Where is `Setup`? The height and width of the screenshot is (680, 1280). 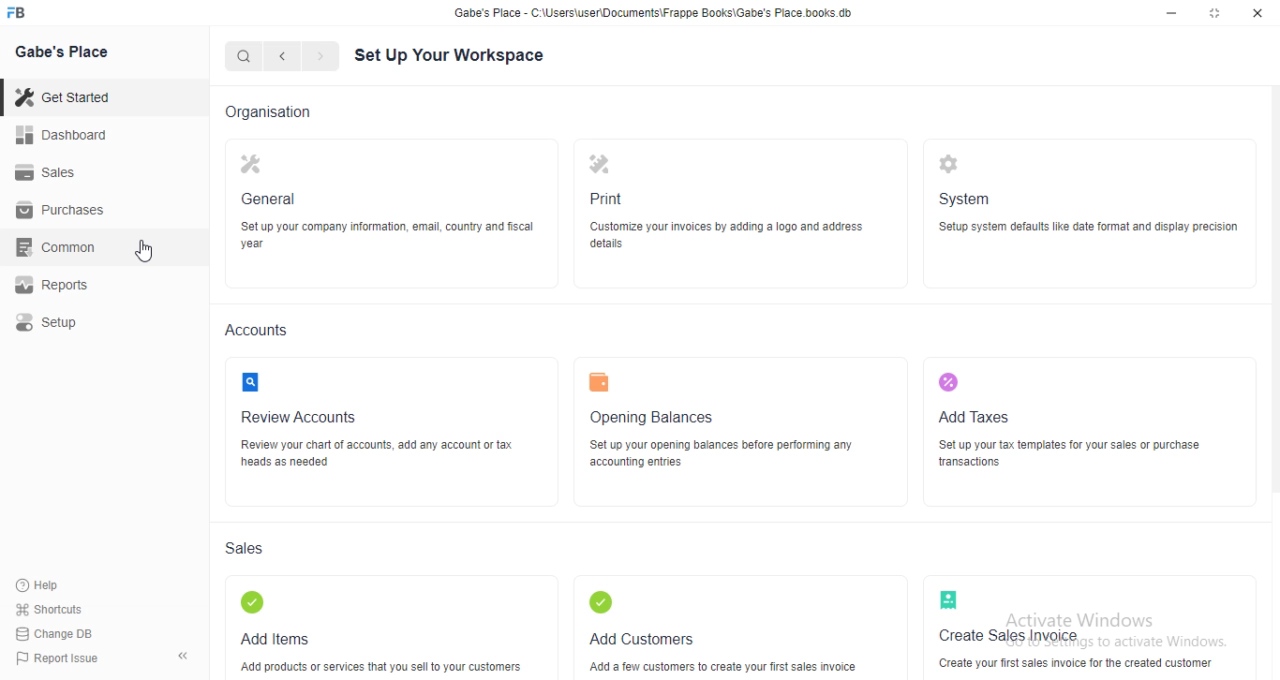 Setup is located at coordinates (50, 318).